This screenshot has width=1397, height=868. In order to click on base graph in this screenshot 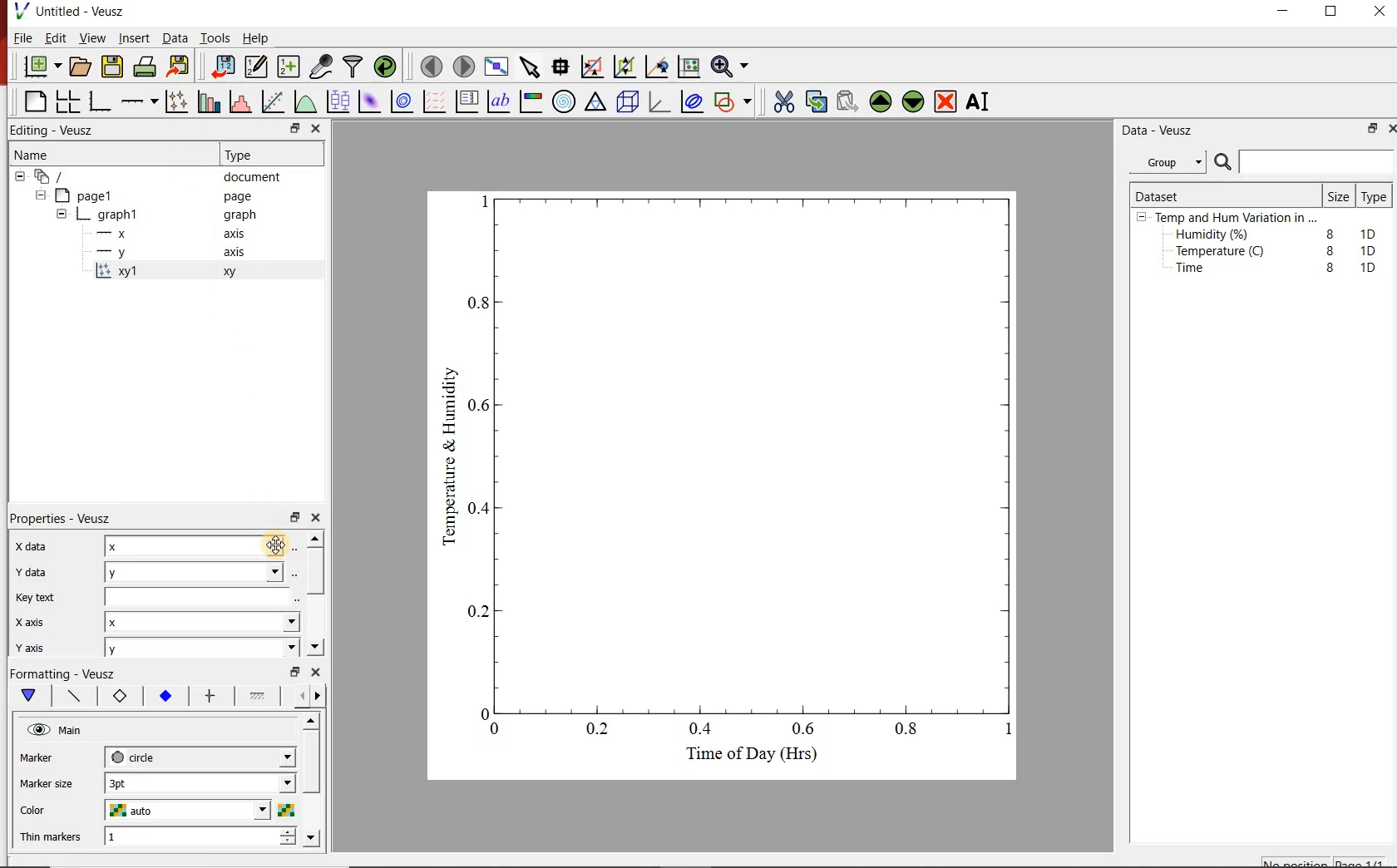, I will do `click(101, 99)`.